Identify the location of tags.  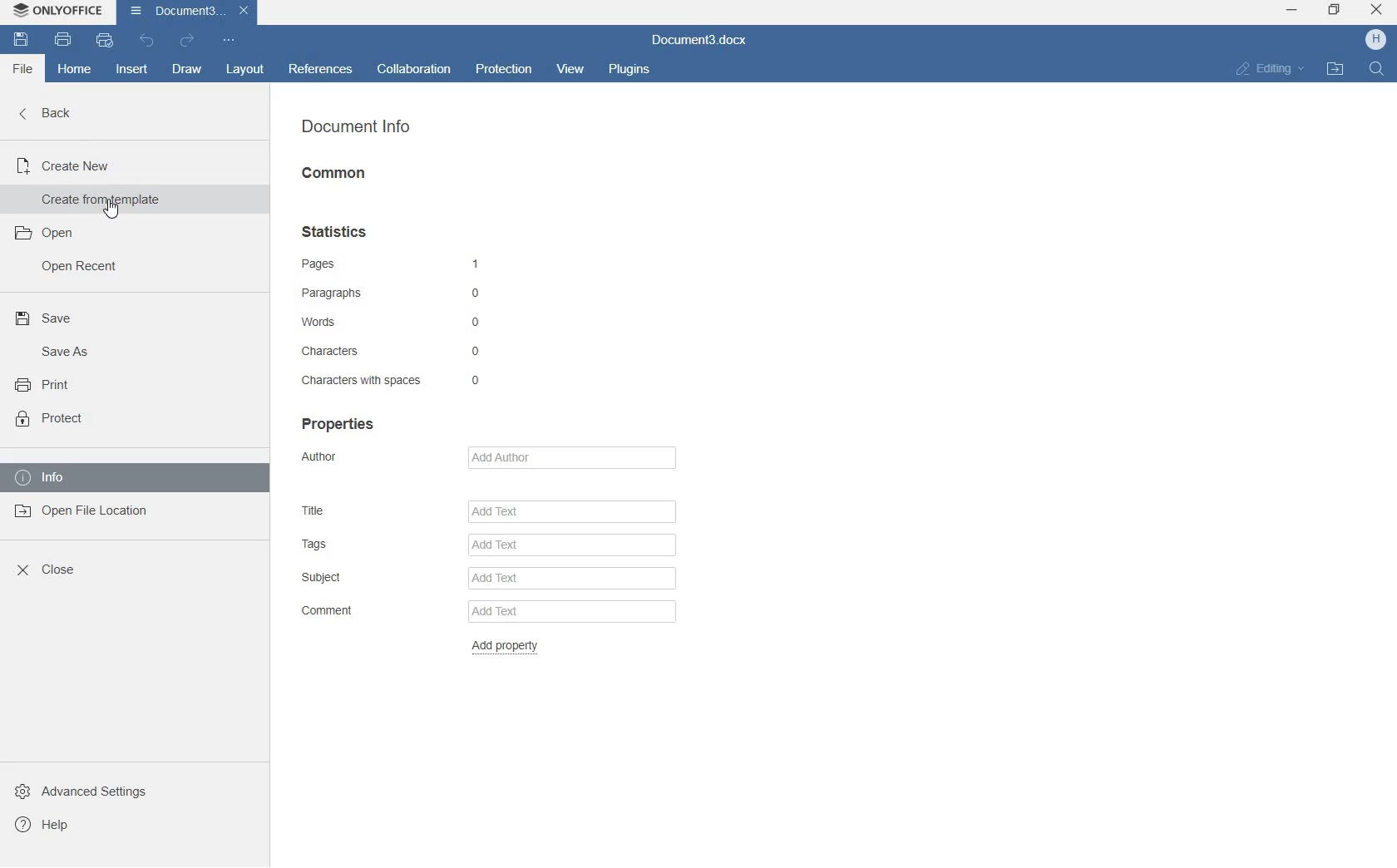
(332, 542).